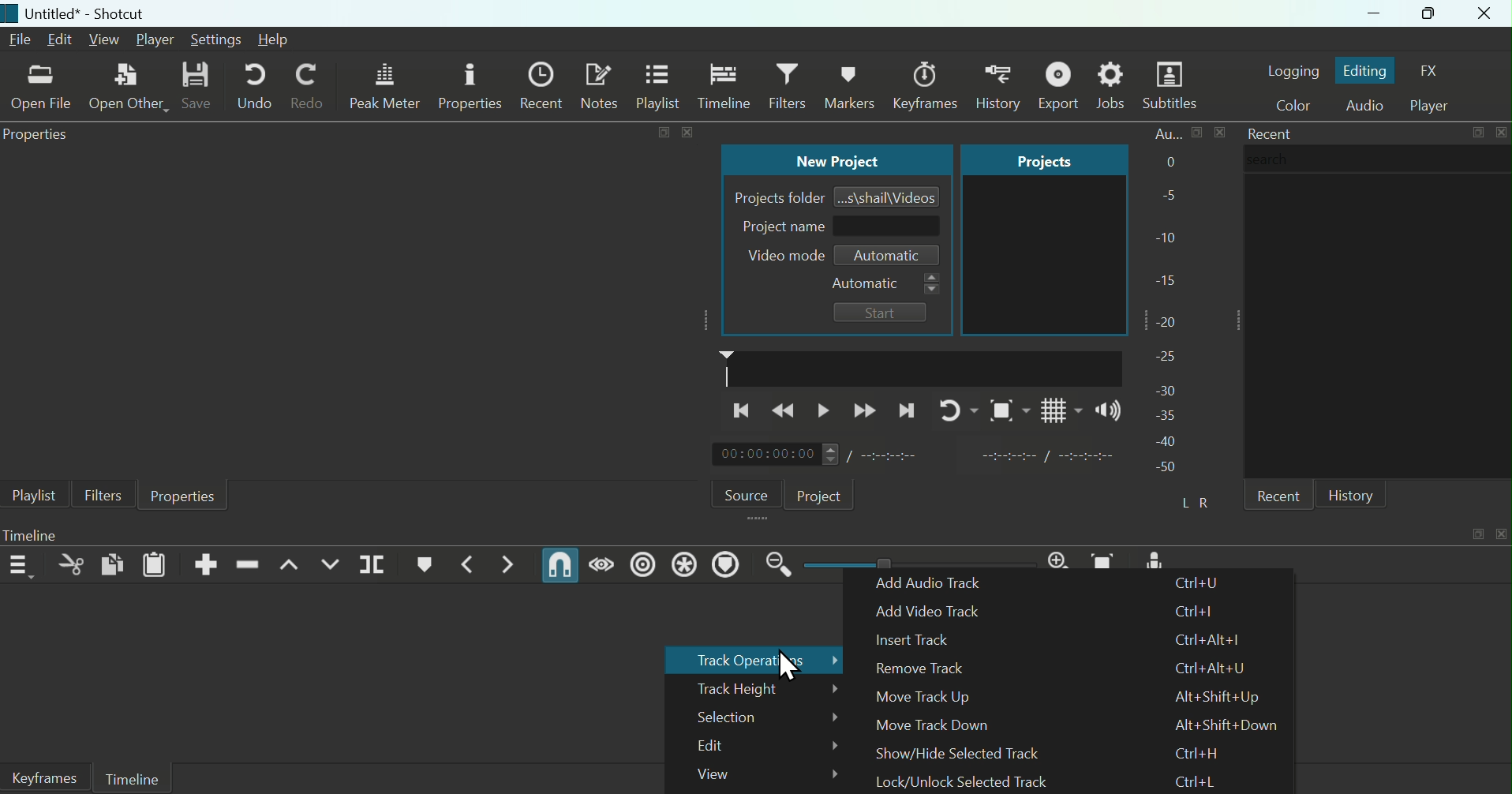  Describe the element at coordinates (755, 688) in the screenshot. I see `Track Height` at that location.